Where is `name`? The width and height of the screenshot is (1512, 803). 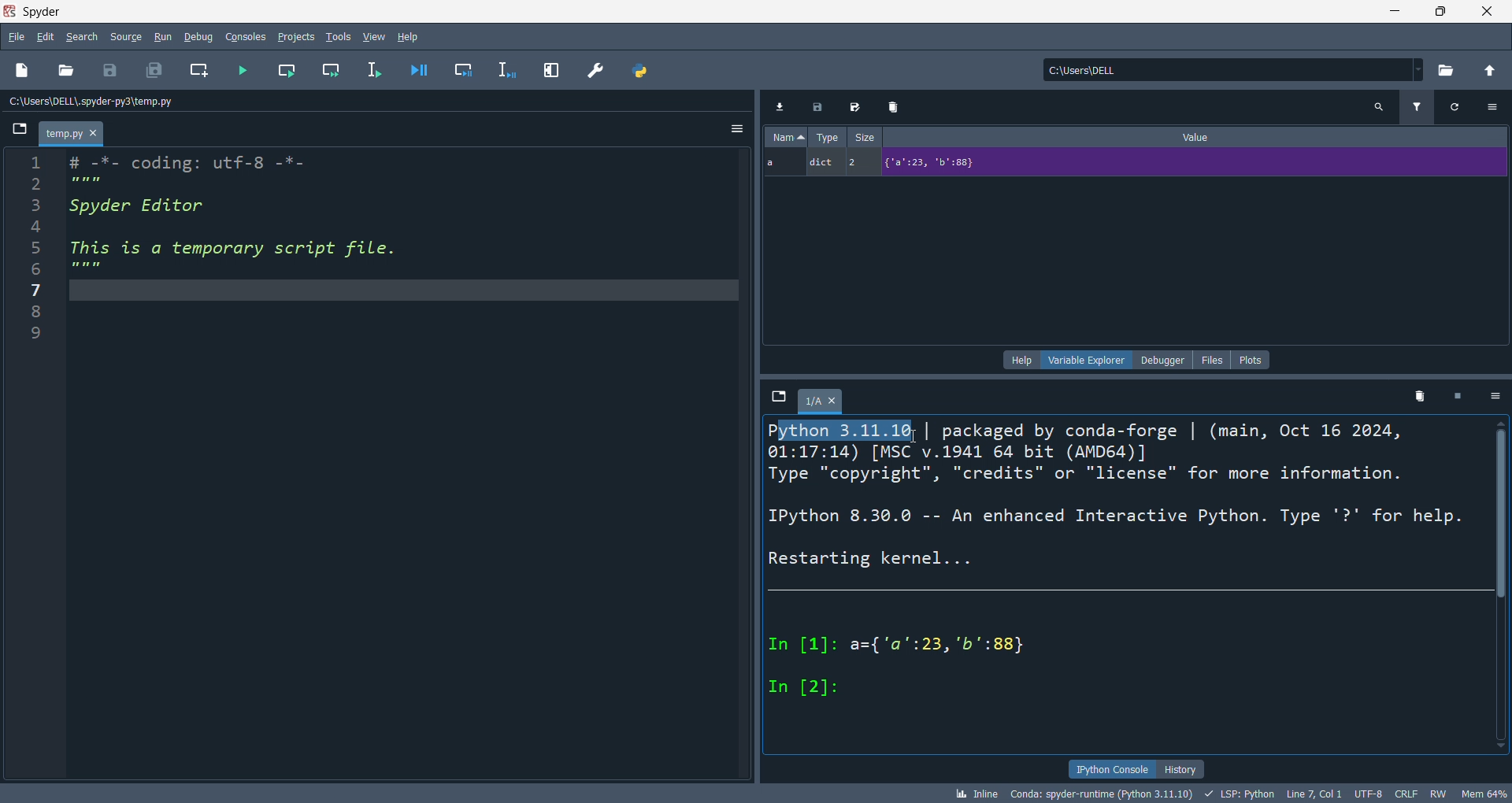 name is located at coordinates (787, 136).